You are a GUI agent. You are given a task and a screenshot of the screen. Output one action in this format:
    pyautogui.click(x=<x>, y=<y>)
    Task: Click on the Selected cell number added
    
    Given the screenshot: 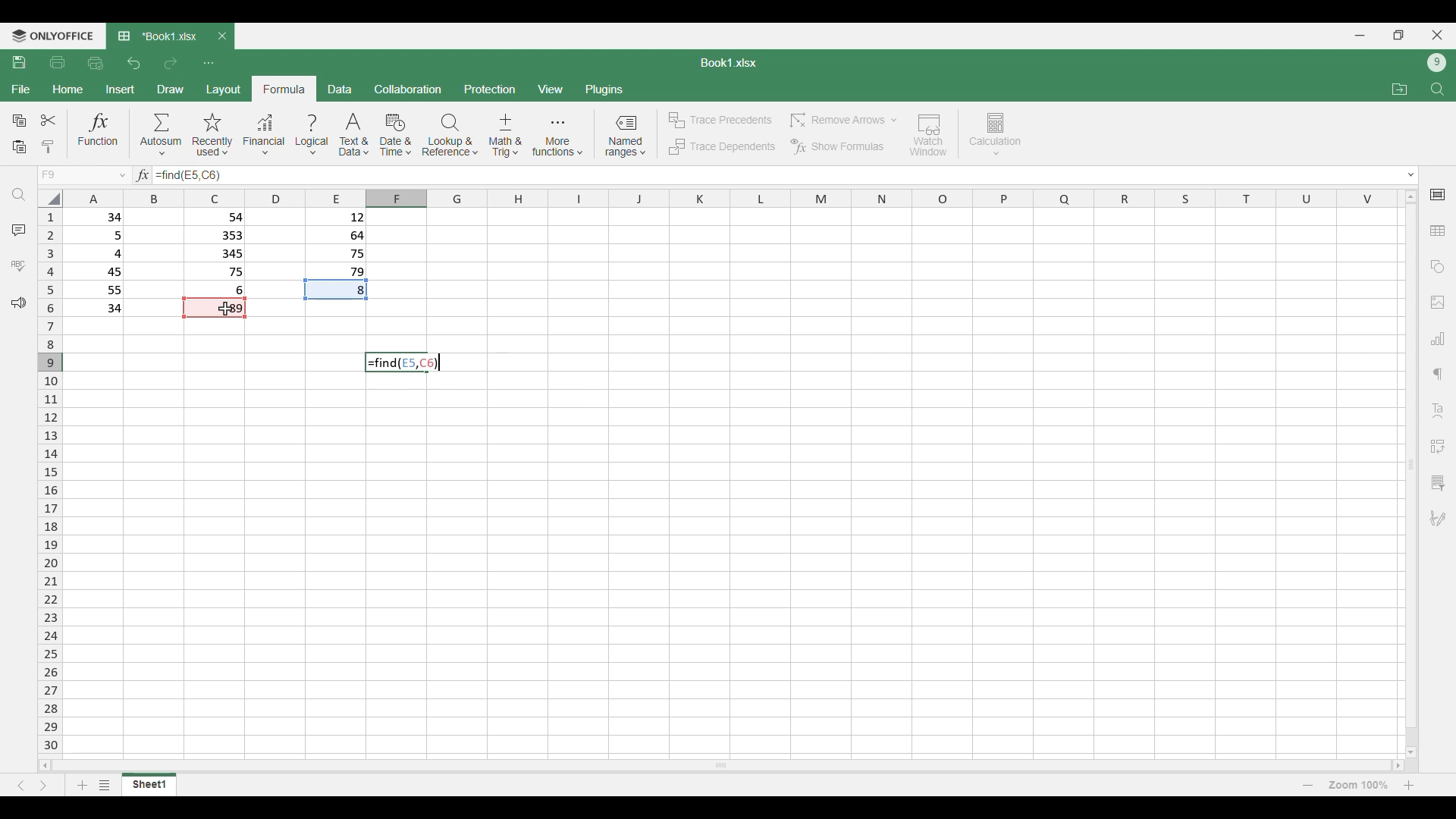 What is the action you would take?
    pyautogui.click(x=191, y=174)
    